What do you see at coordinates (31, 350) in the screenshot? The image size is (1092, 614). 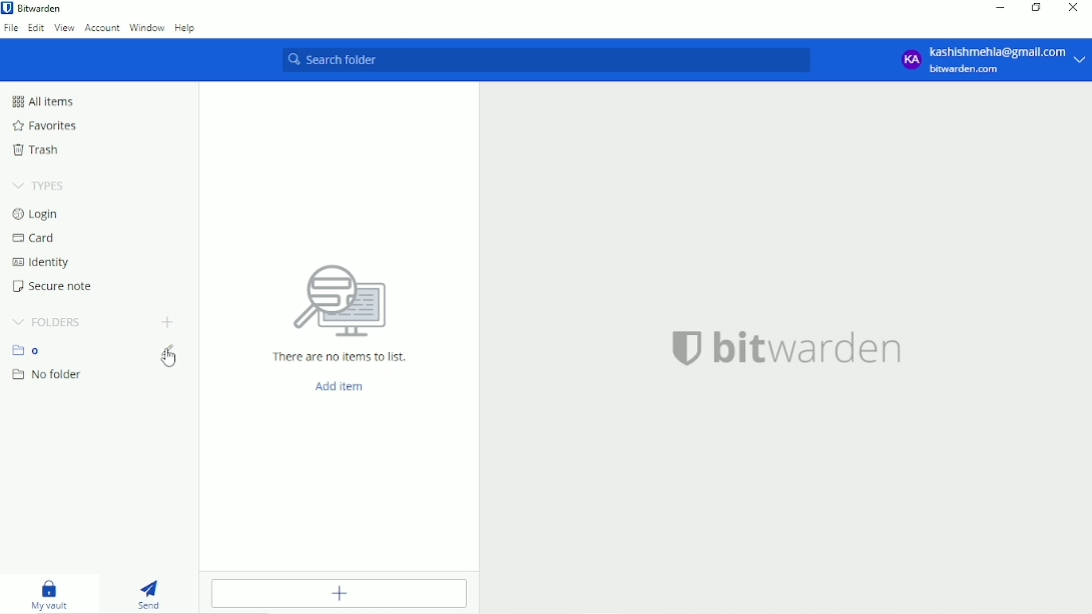 I see `Folder O` at bounding box center [31, 350].